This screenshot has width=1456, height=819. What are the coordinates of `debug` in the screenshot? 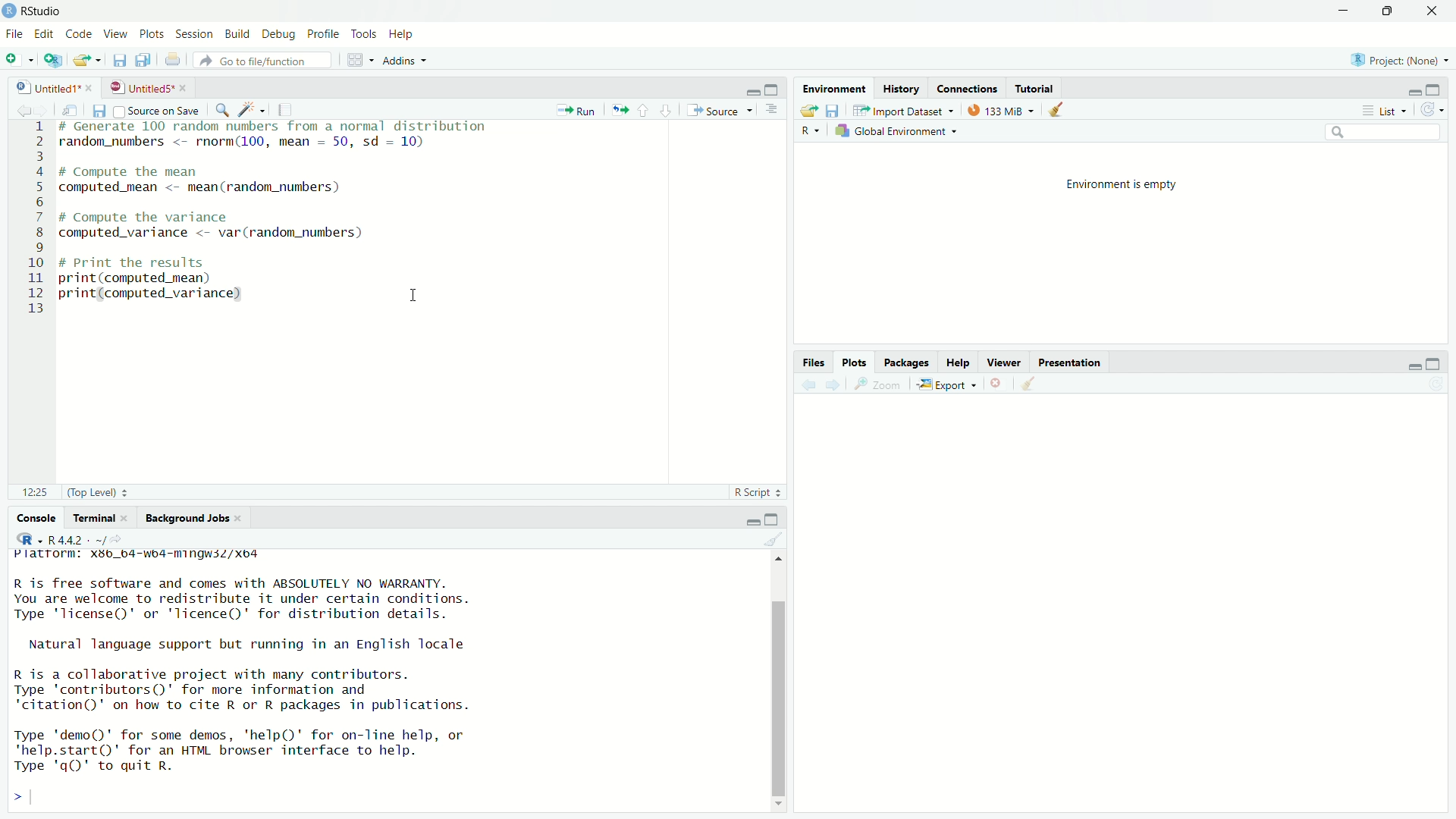 It's located at (278, 33).